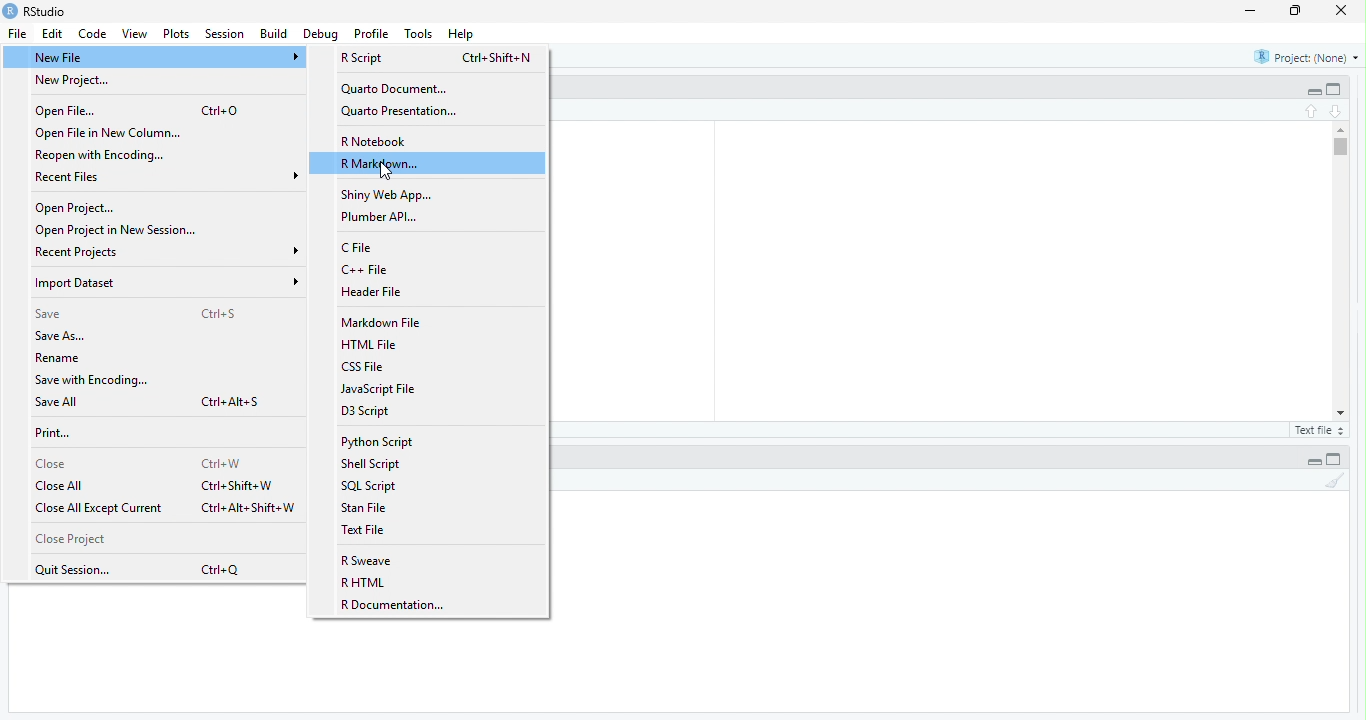 The height and width of the screenshot is (720, 1366). I want to click on down, so click(1337, 112).